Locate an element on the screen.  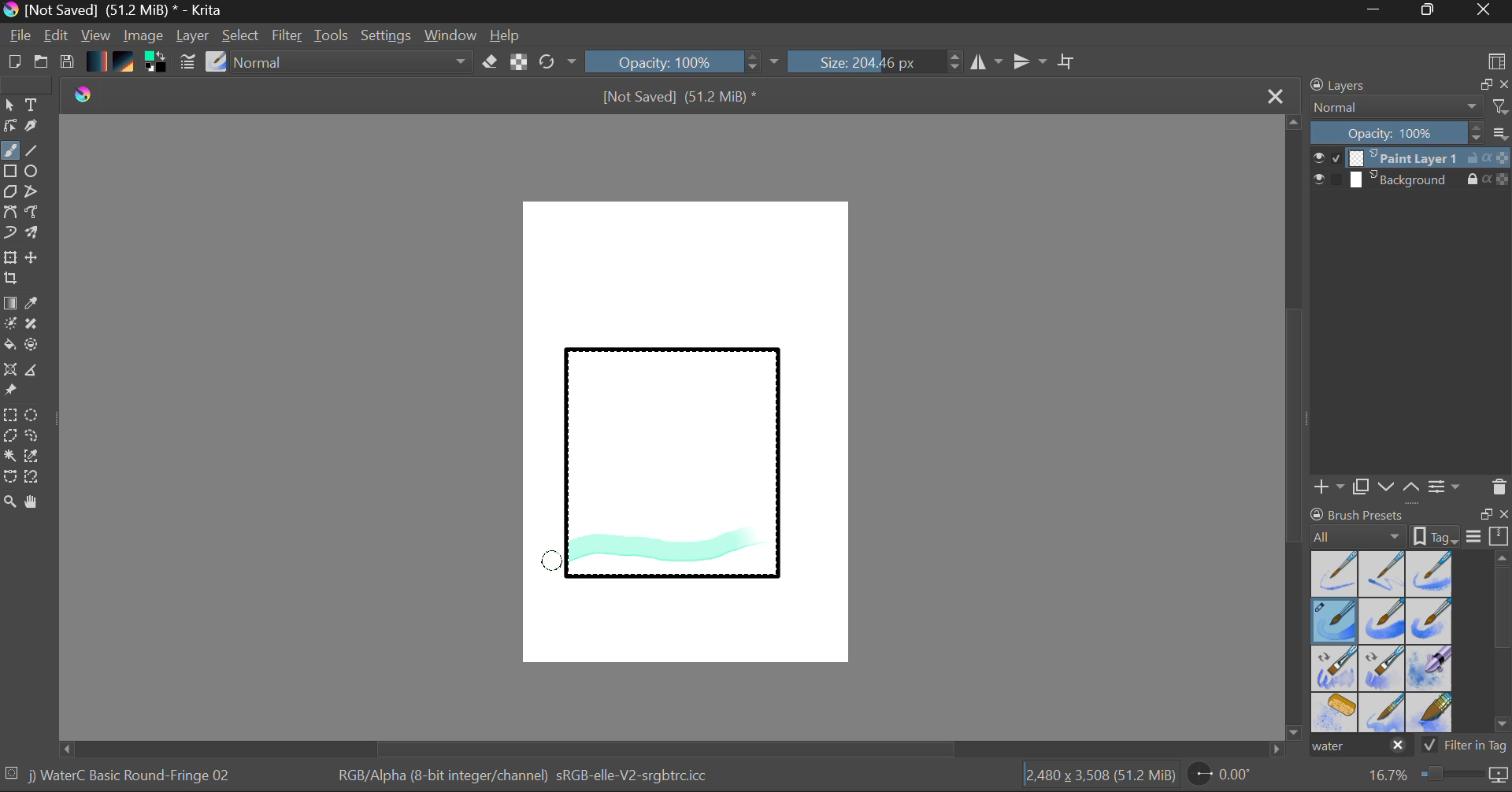
Bezier Curve is located at coordinates (9, 213).